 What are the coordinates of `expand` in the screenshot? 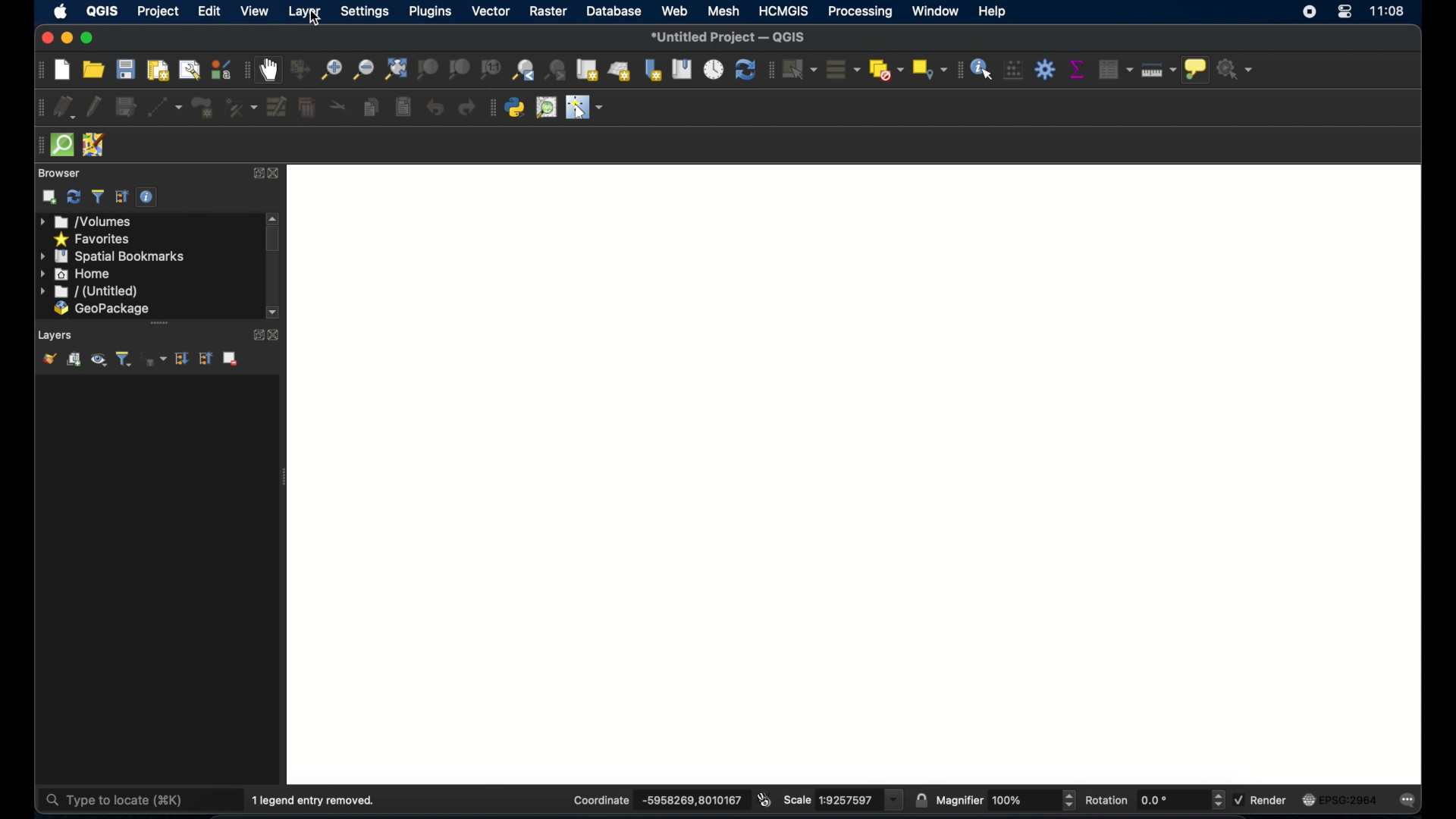 It's located at (254, 335).